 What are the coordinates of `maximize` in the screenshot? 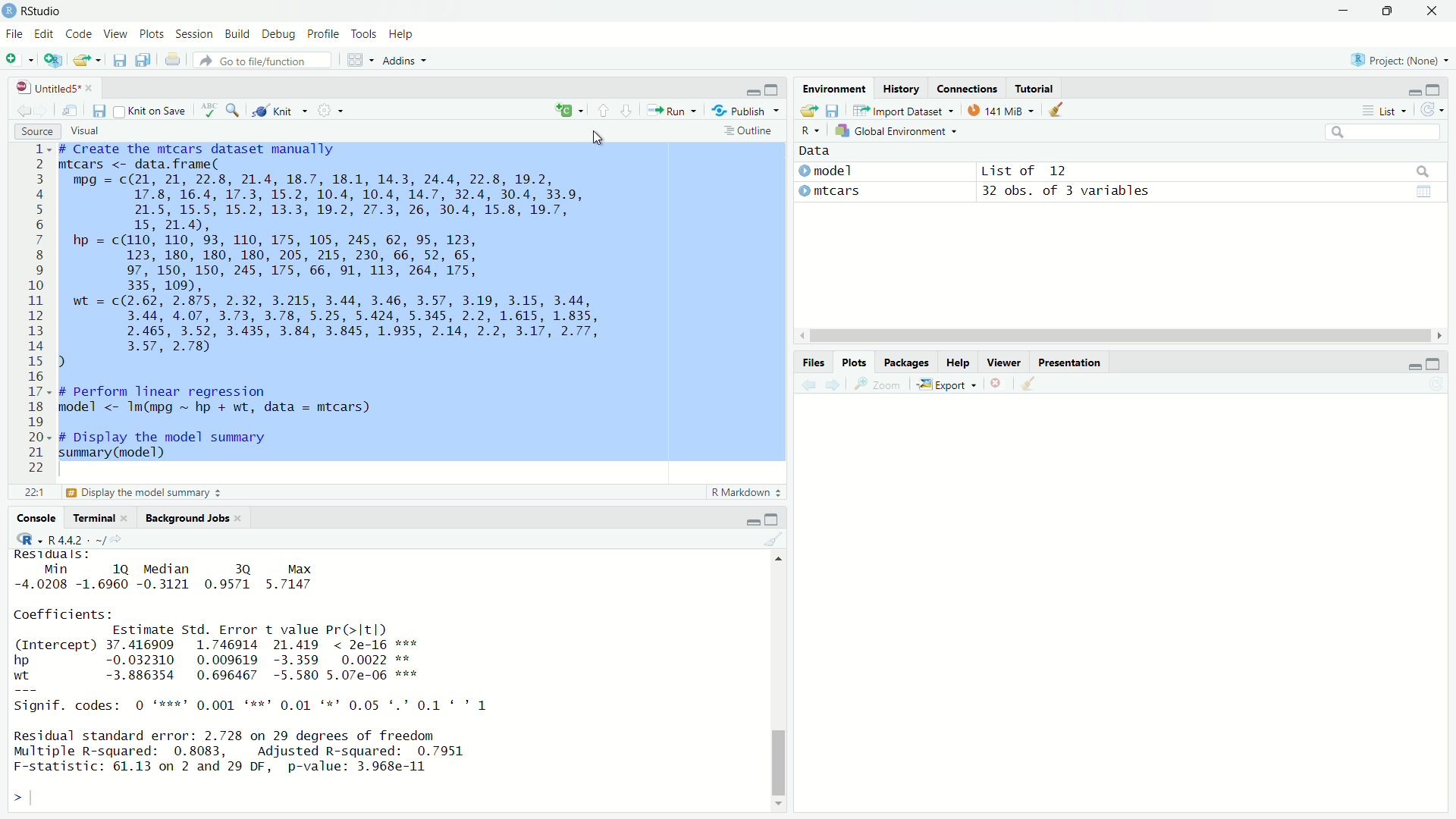 It's located at (773, 90).